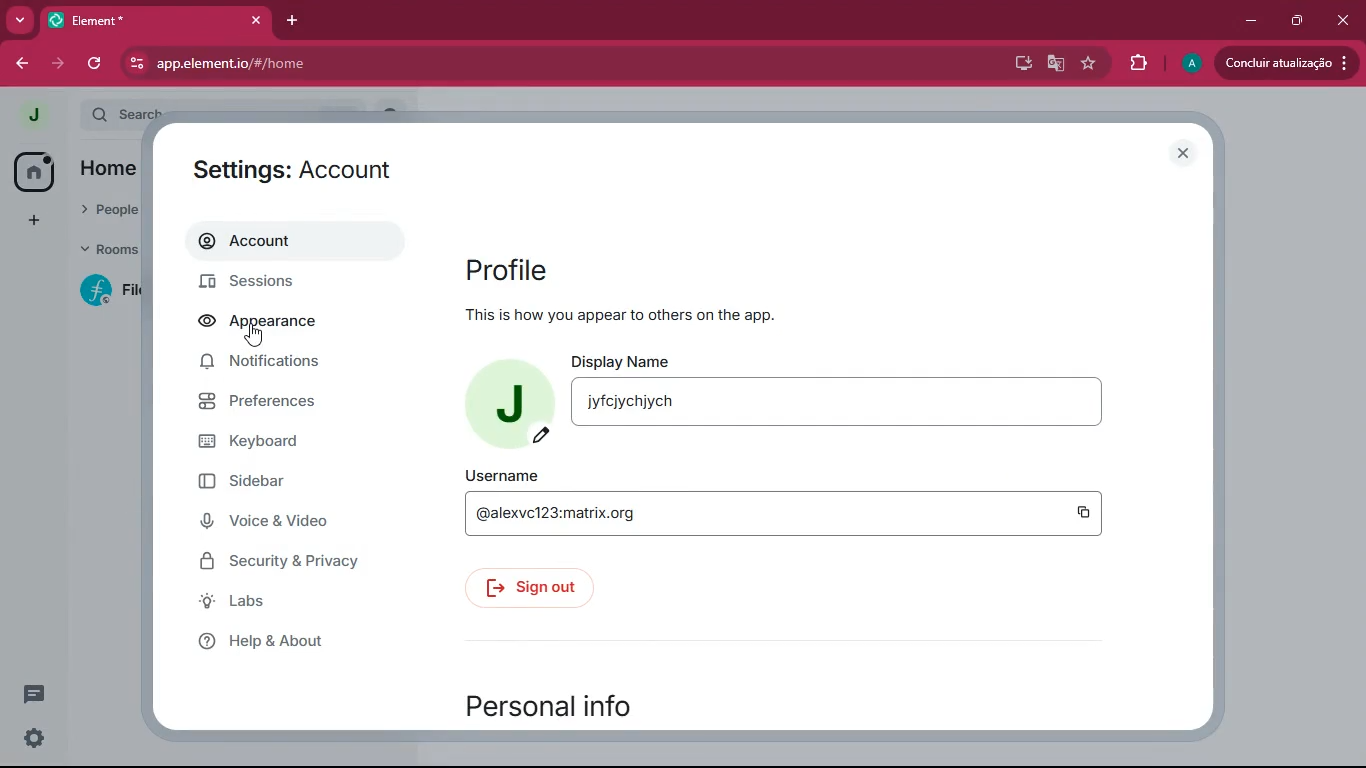 This screenshot has height=768, width=1366. What do you see at coordinates (593, 703) in the screenshot?
I see `personal info` at bounding box center [593, 703].